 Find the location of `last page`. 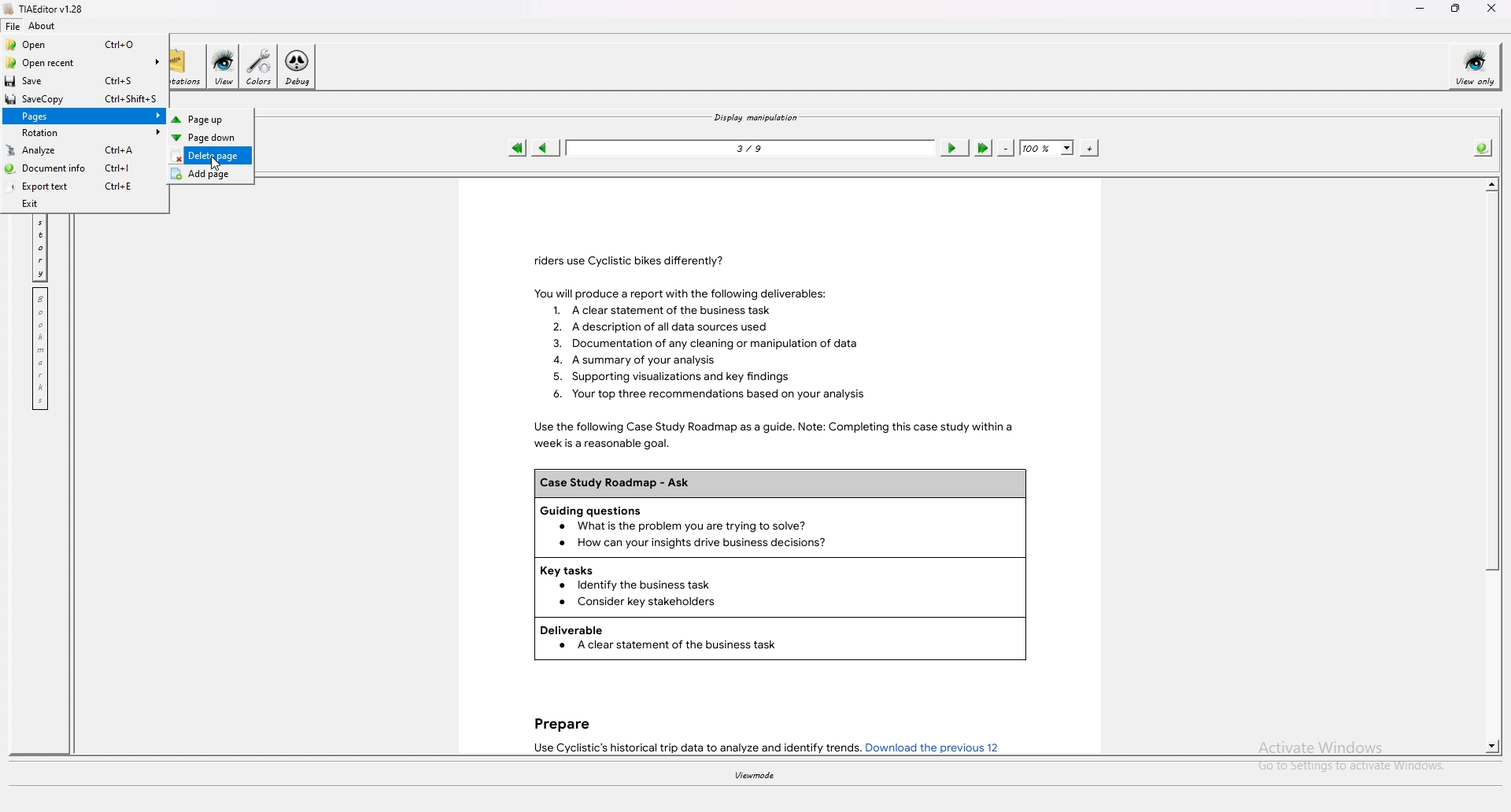

last page is located at coordinates (983, 148).